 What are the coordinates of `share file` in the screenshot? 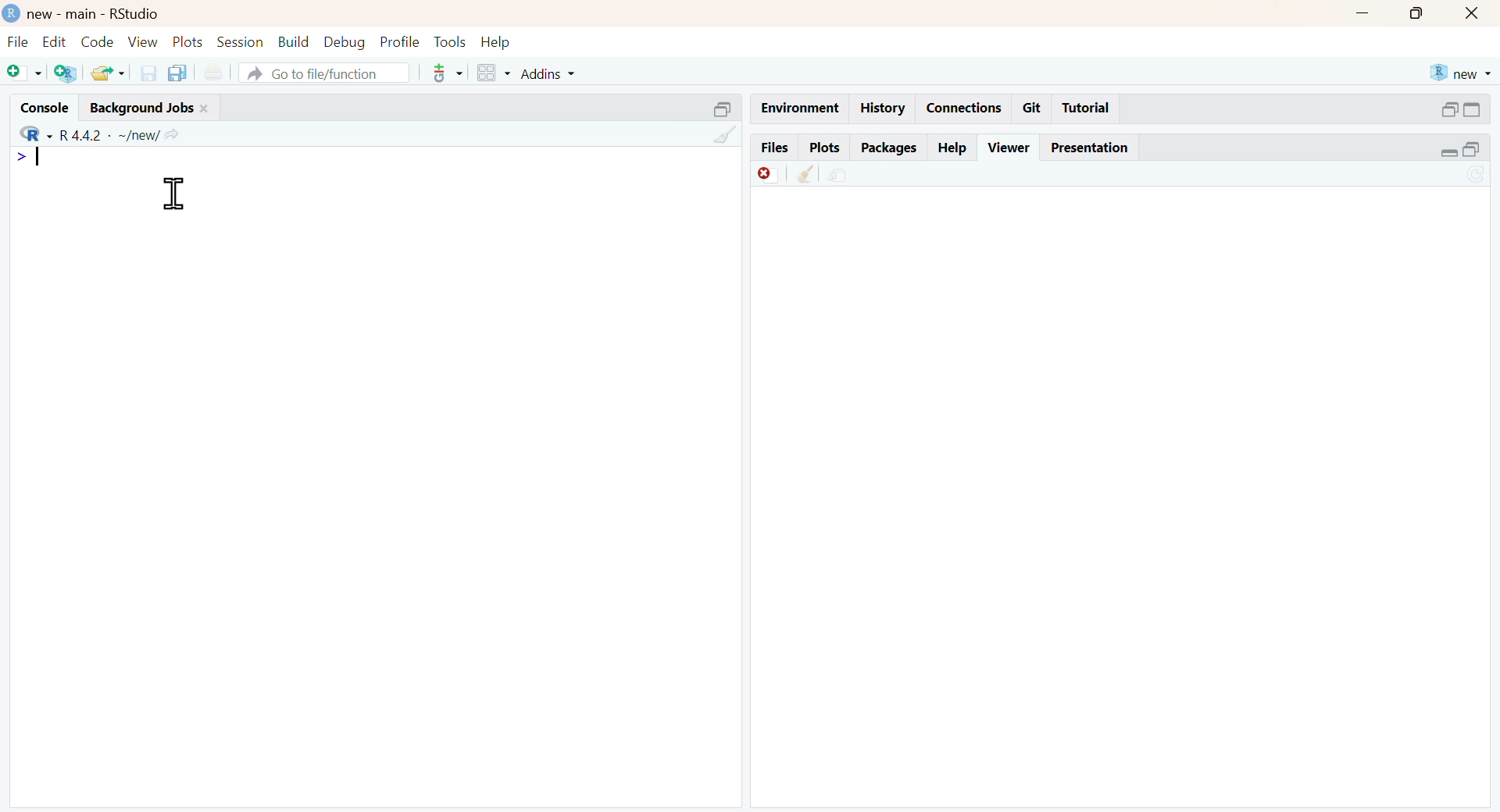 It's located at (841, 176).